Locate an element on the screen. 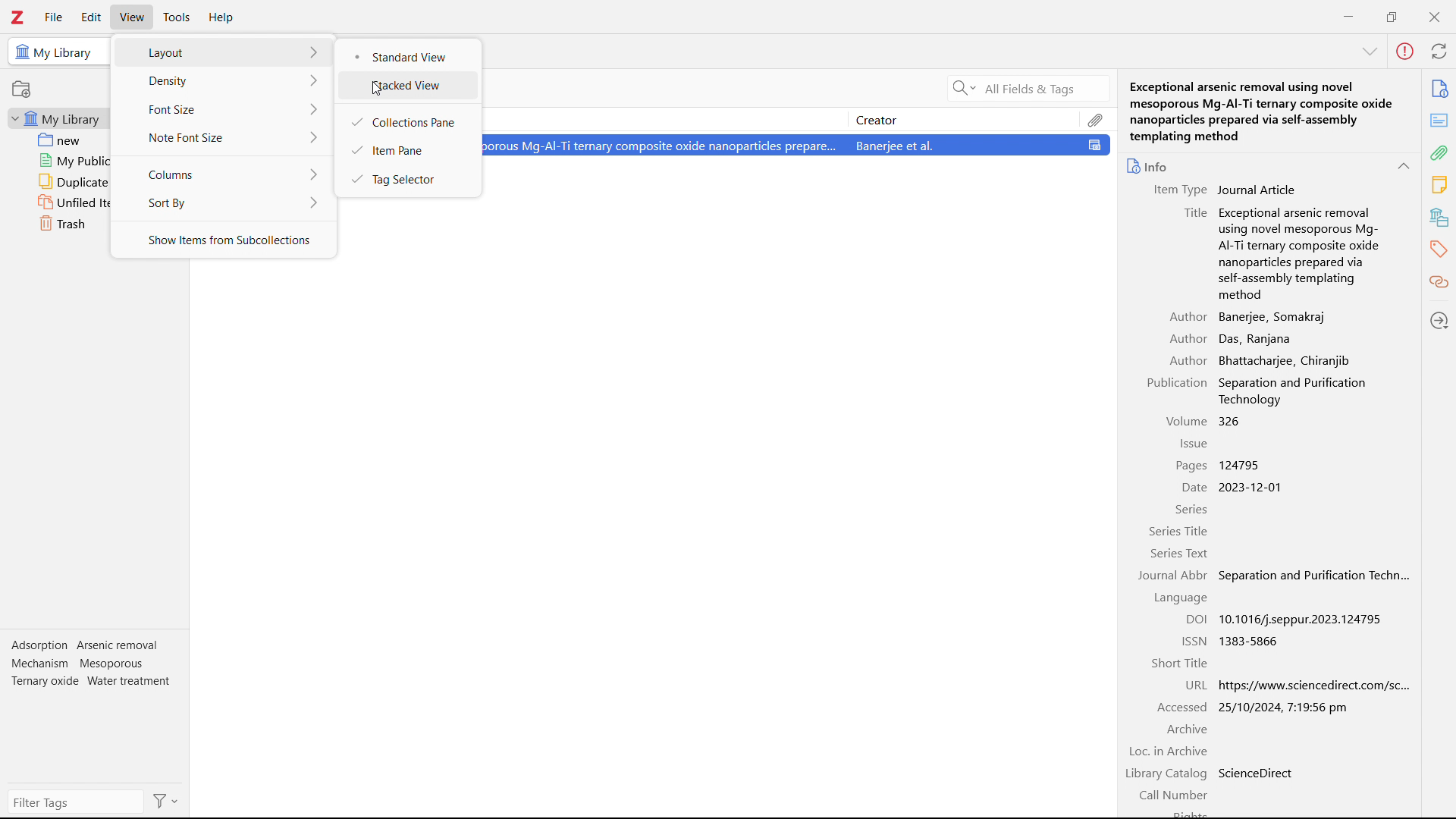  new collection is located at coordinates (21, 89).